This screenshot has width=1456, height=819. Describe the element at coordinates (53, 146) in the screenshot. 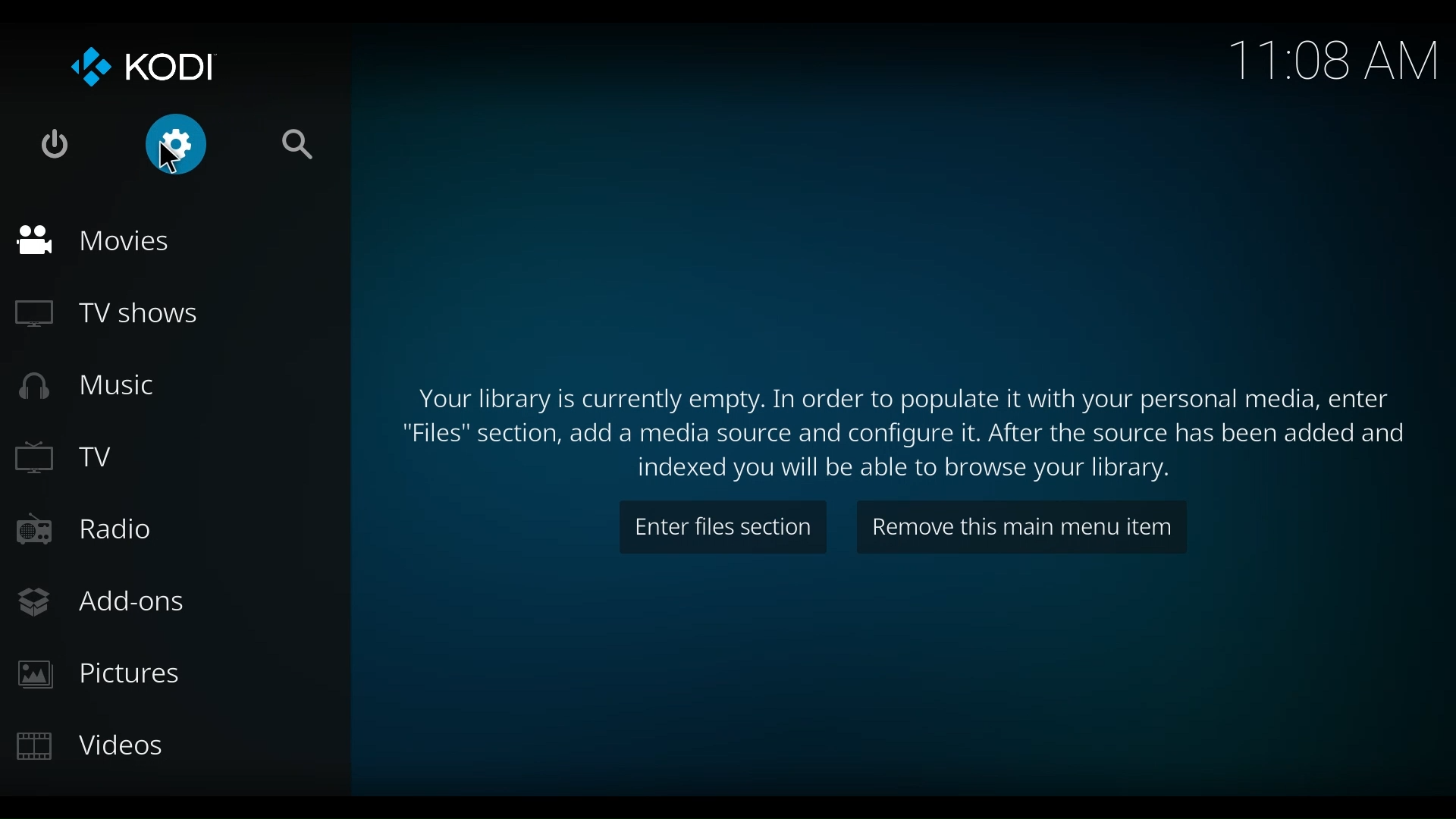

I see `Power options` at that location.